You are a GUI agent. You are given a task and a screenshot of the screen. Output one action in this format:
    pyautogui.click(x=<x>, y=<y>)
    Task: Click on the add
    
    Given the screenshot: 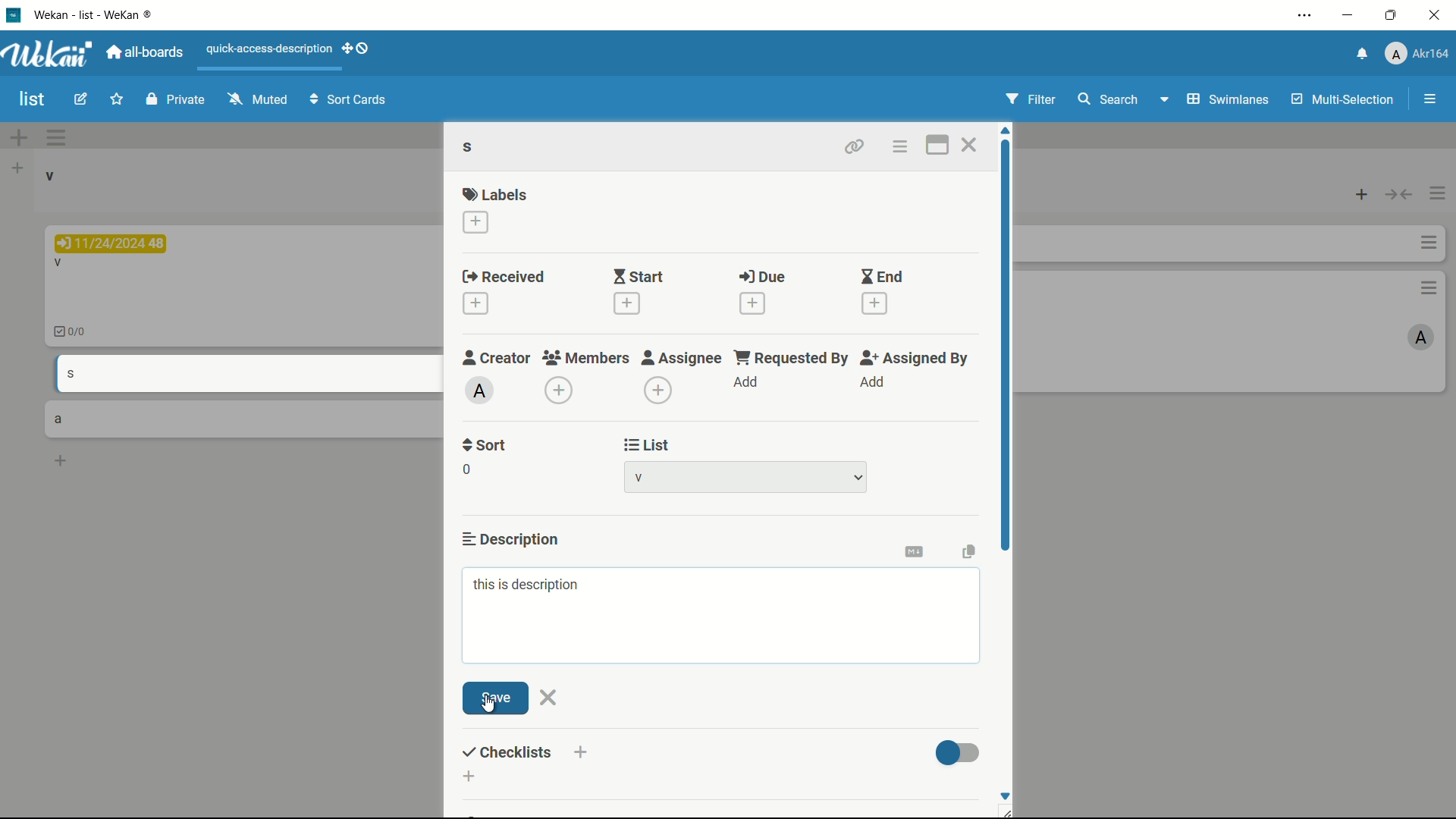 What is the action you would take?
    pyautogui.click(x=471, y=777)
    